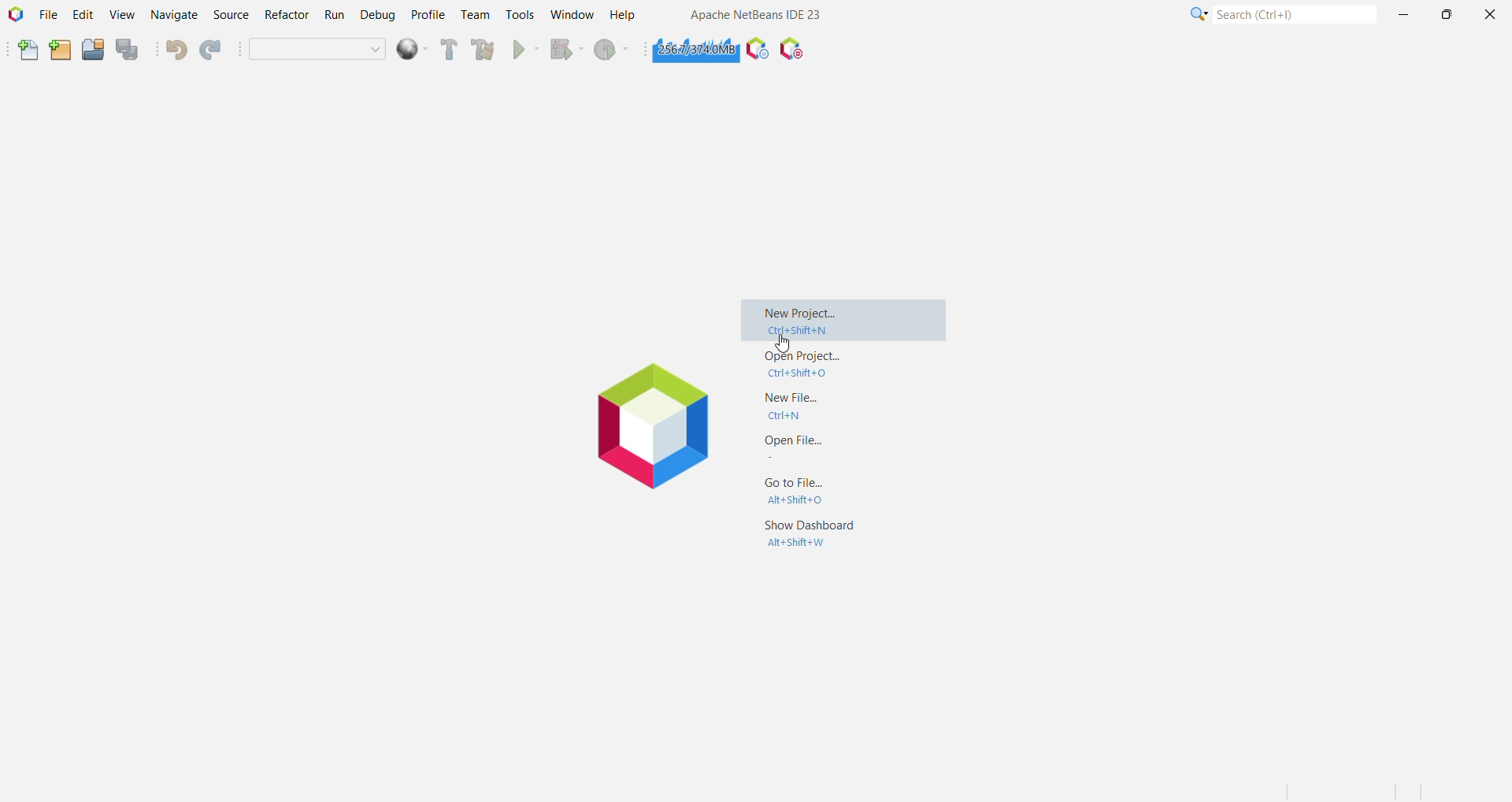  What do you see at coordinates (623, 16) in the screenshot?
I see `Help` at bounding box center [623, 16].